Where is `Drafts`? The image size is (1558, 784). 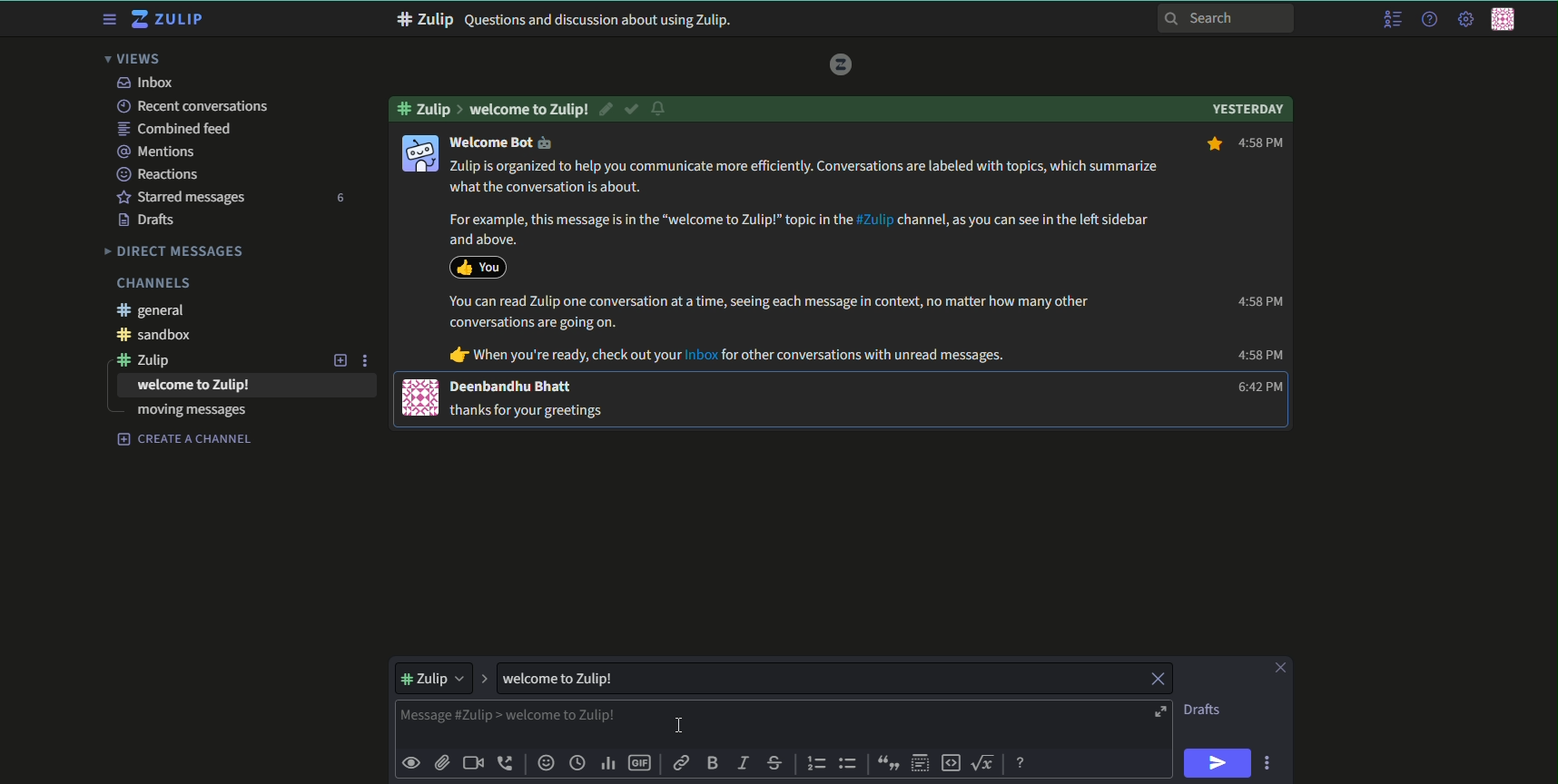
Drafts is located at coordinates (1204, 710).